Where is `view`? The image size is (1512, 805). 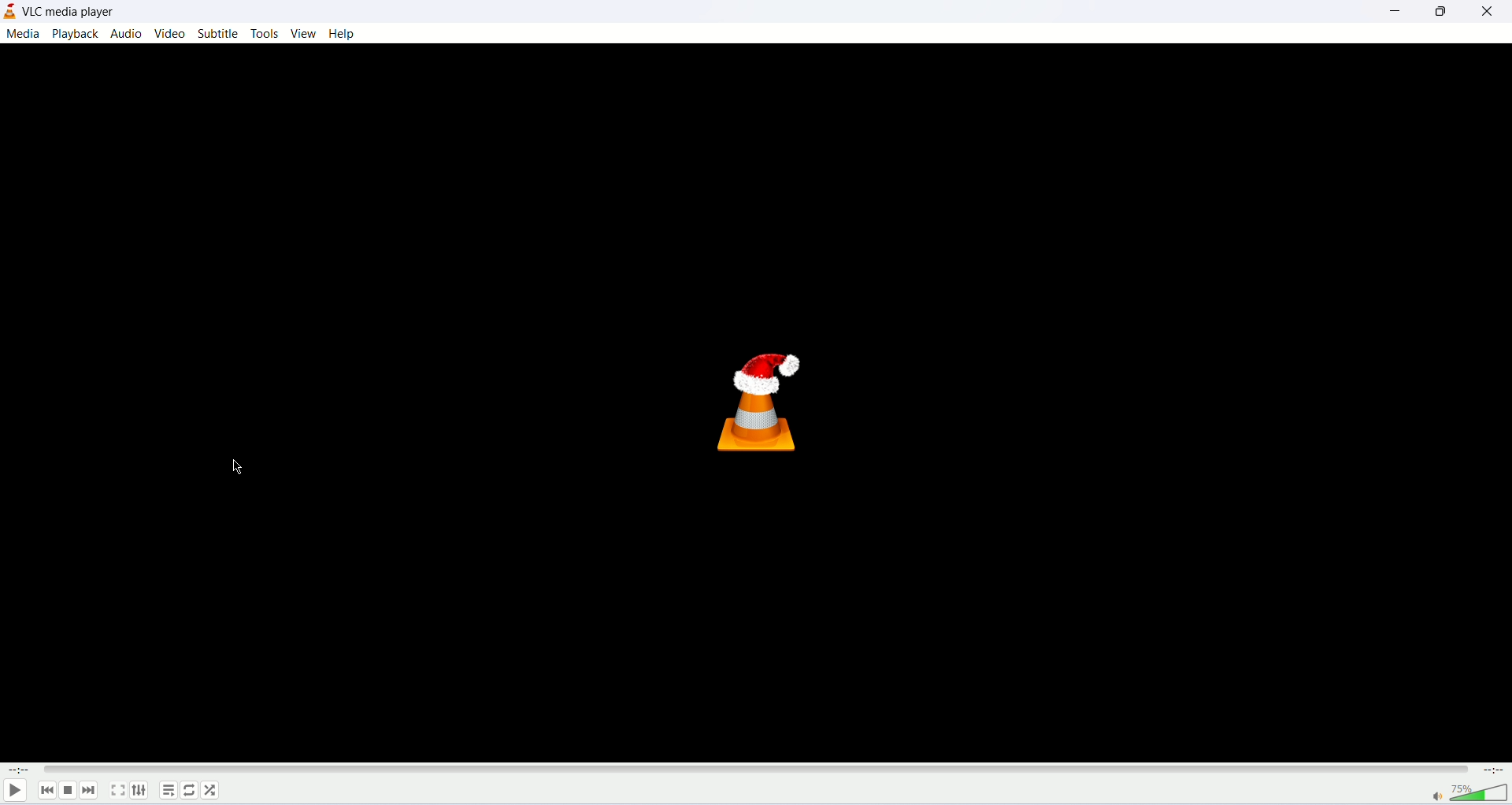
view is located at coordinates (302, 32).